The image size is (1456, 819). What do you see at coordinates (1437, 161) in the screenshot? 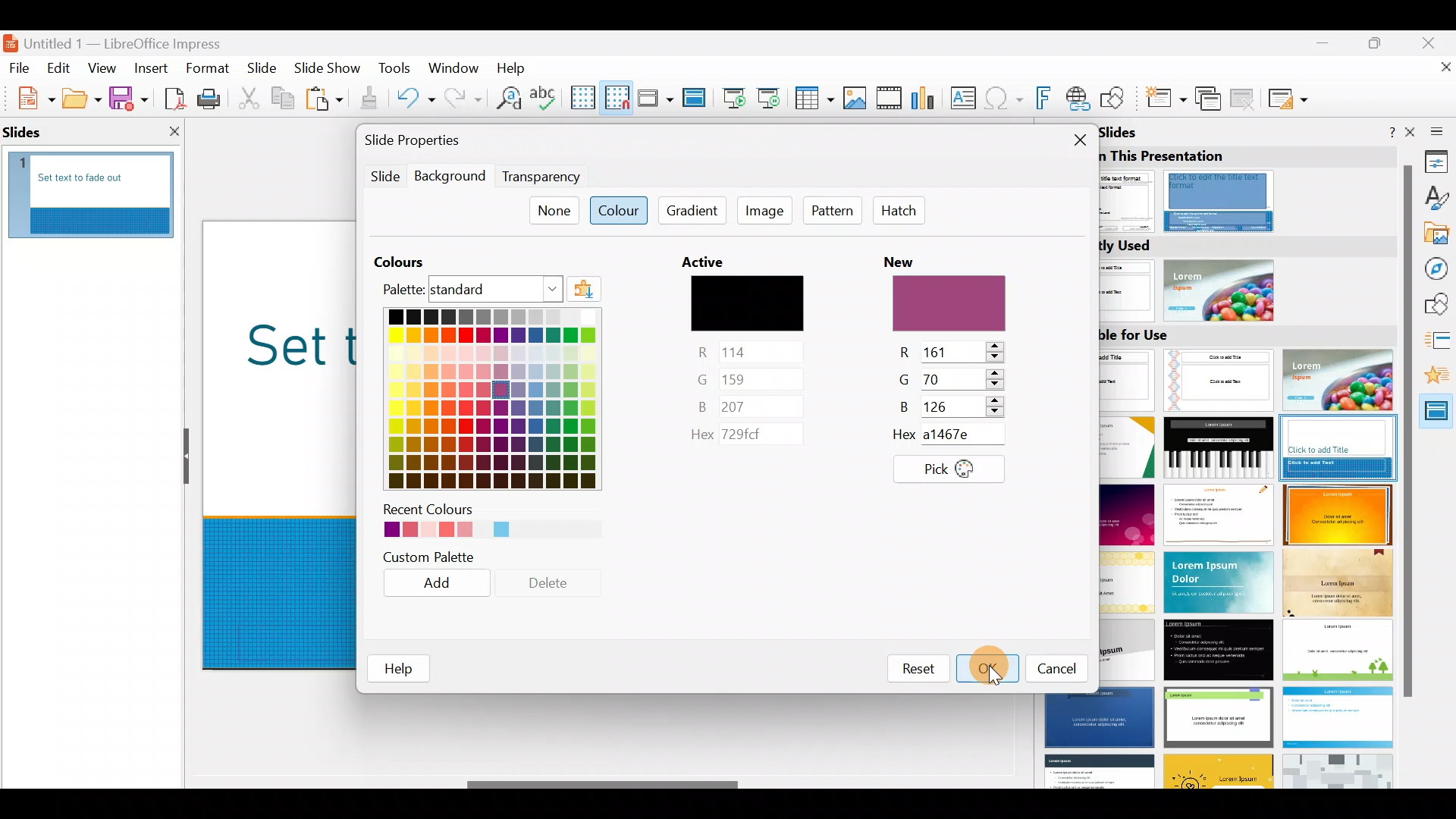
I see `Properties` at bounding box center [1437, 161].